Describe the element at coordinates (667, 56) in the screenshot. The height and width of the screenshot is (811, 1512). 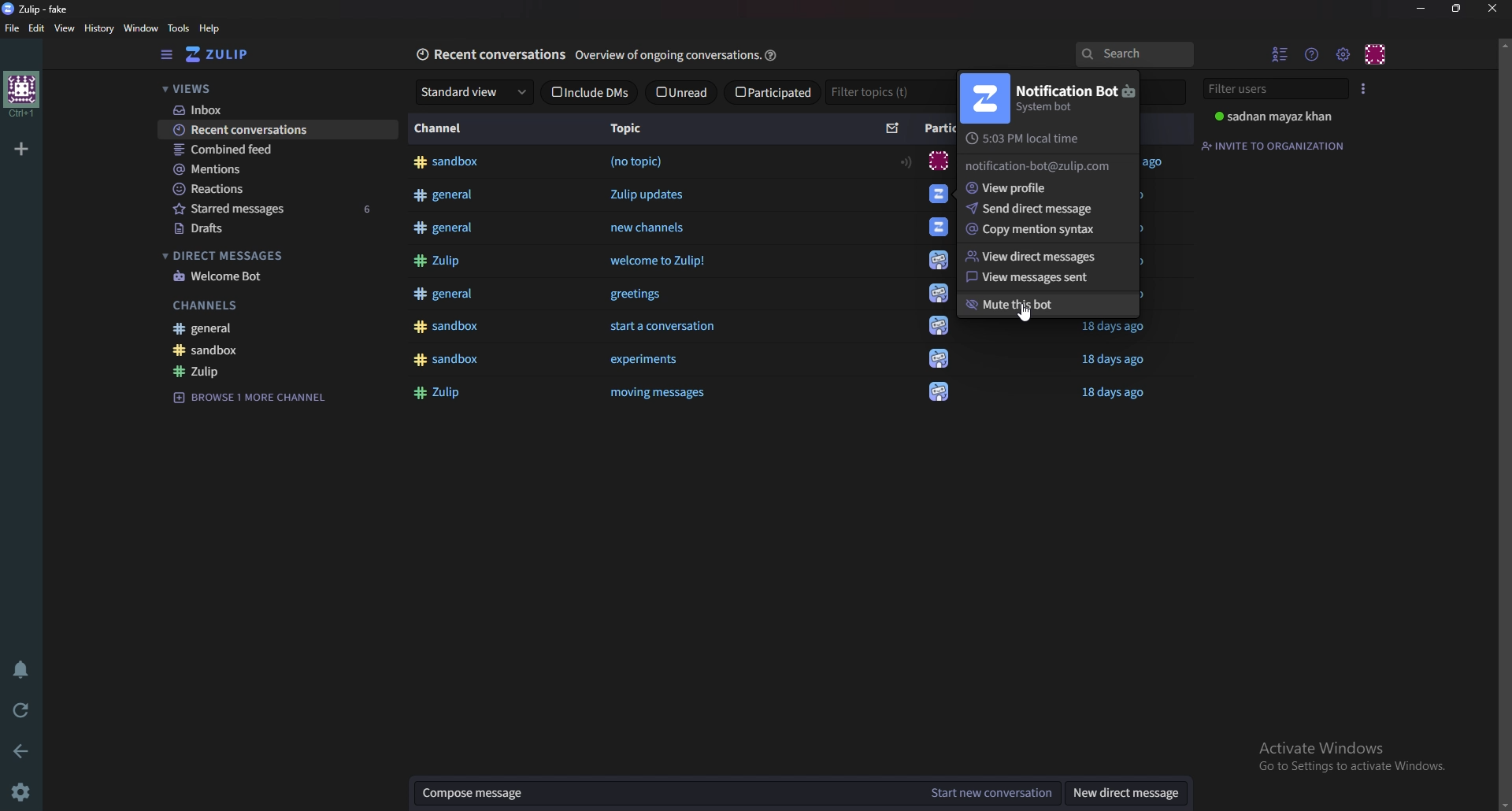
I see `overview of ongoing conversation` at that location.